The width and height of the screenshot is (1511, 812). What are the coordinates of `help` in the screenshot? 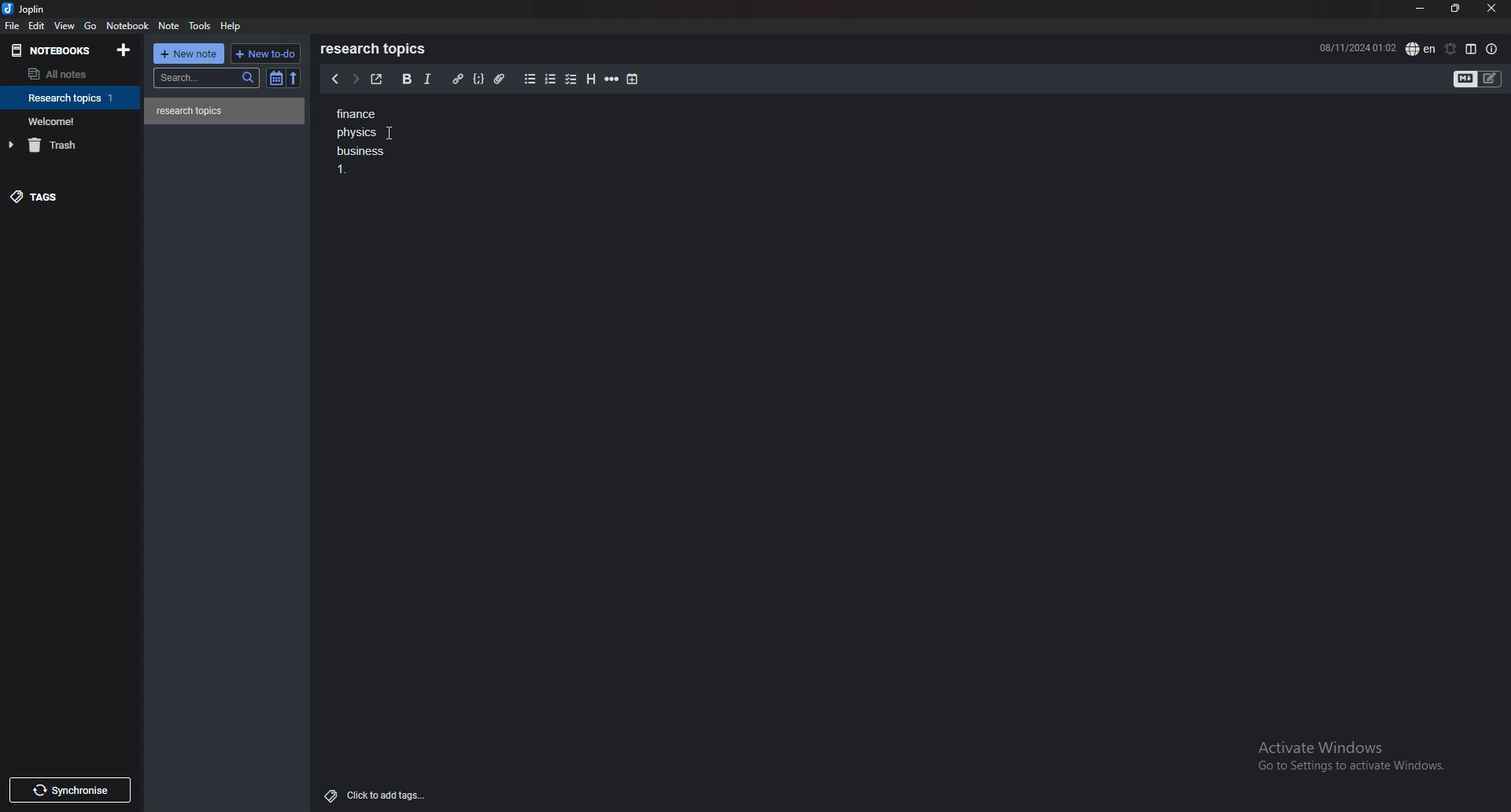 It's located at (233, 25).